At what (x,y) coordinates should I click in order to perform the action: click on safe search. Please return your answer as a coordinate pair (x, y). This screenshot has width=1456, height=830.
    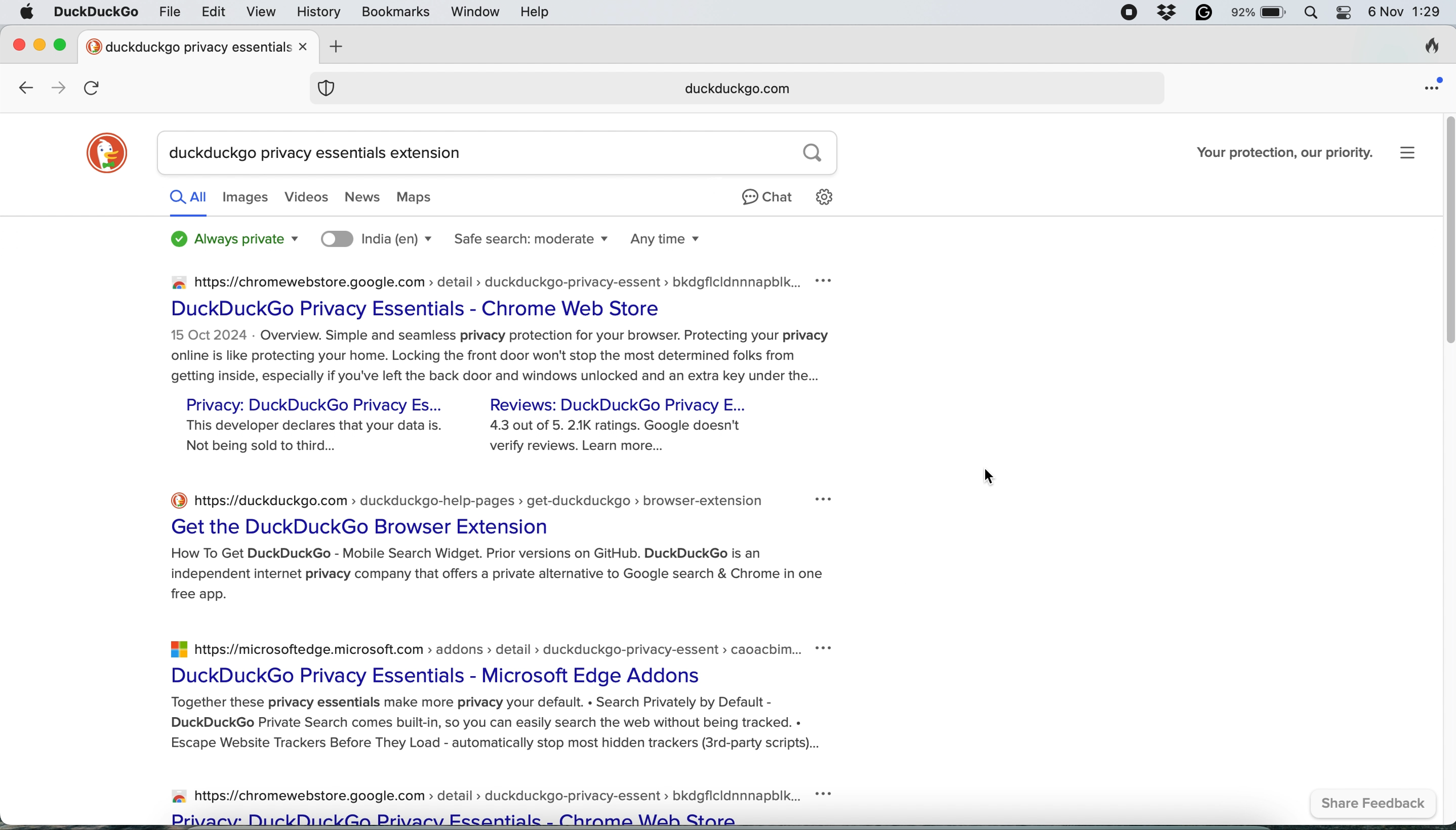
    Looking at the image, I should click on (531, 239).